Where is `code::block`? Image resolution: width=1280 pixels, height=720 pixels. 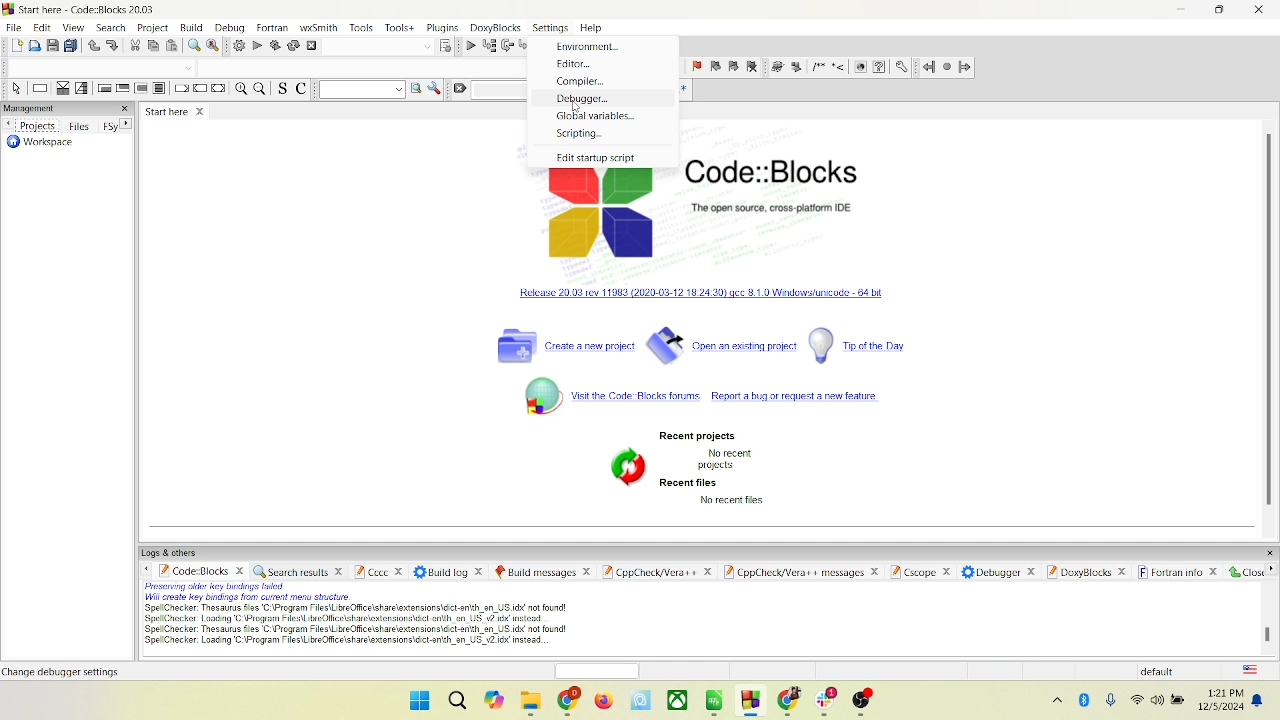 code::block is located at coordinates (90, 11).